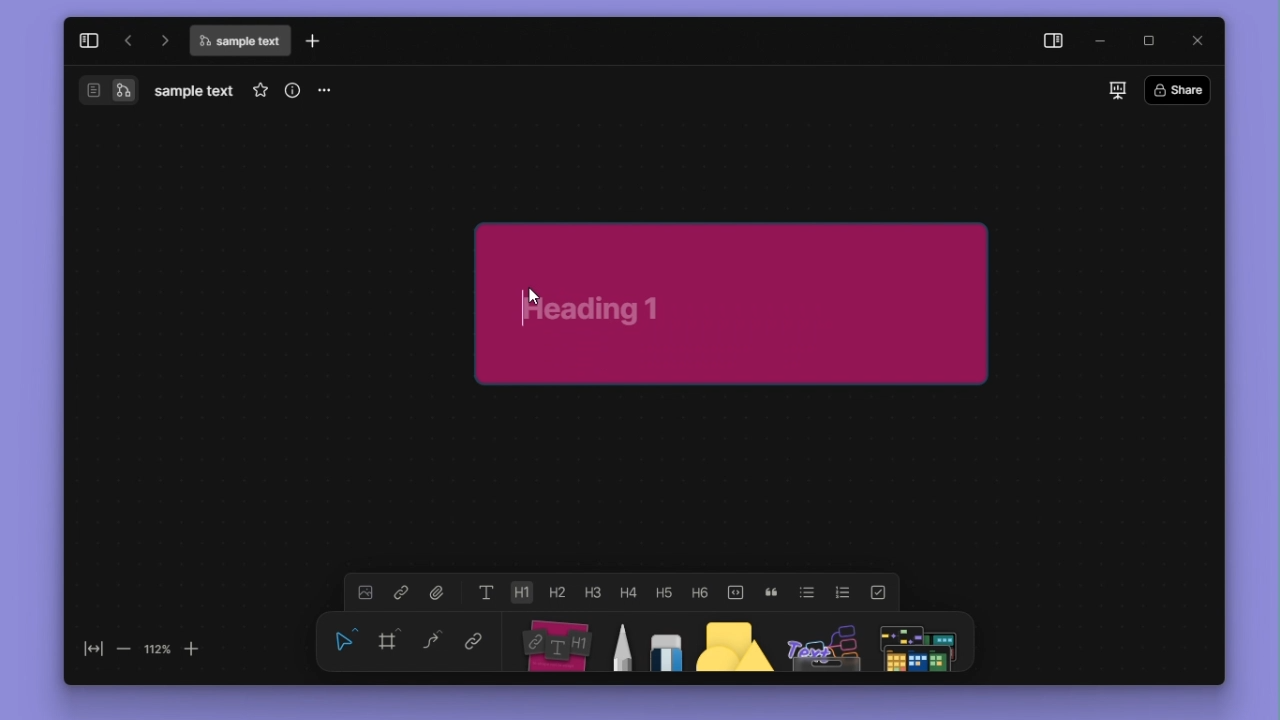  What do you see at coordinates (345, 640) in the screenshot?
I see `select` at bounding box center [345, 640].